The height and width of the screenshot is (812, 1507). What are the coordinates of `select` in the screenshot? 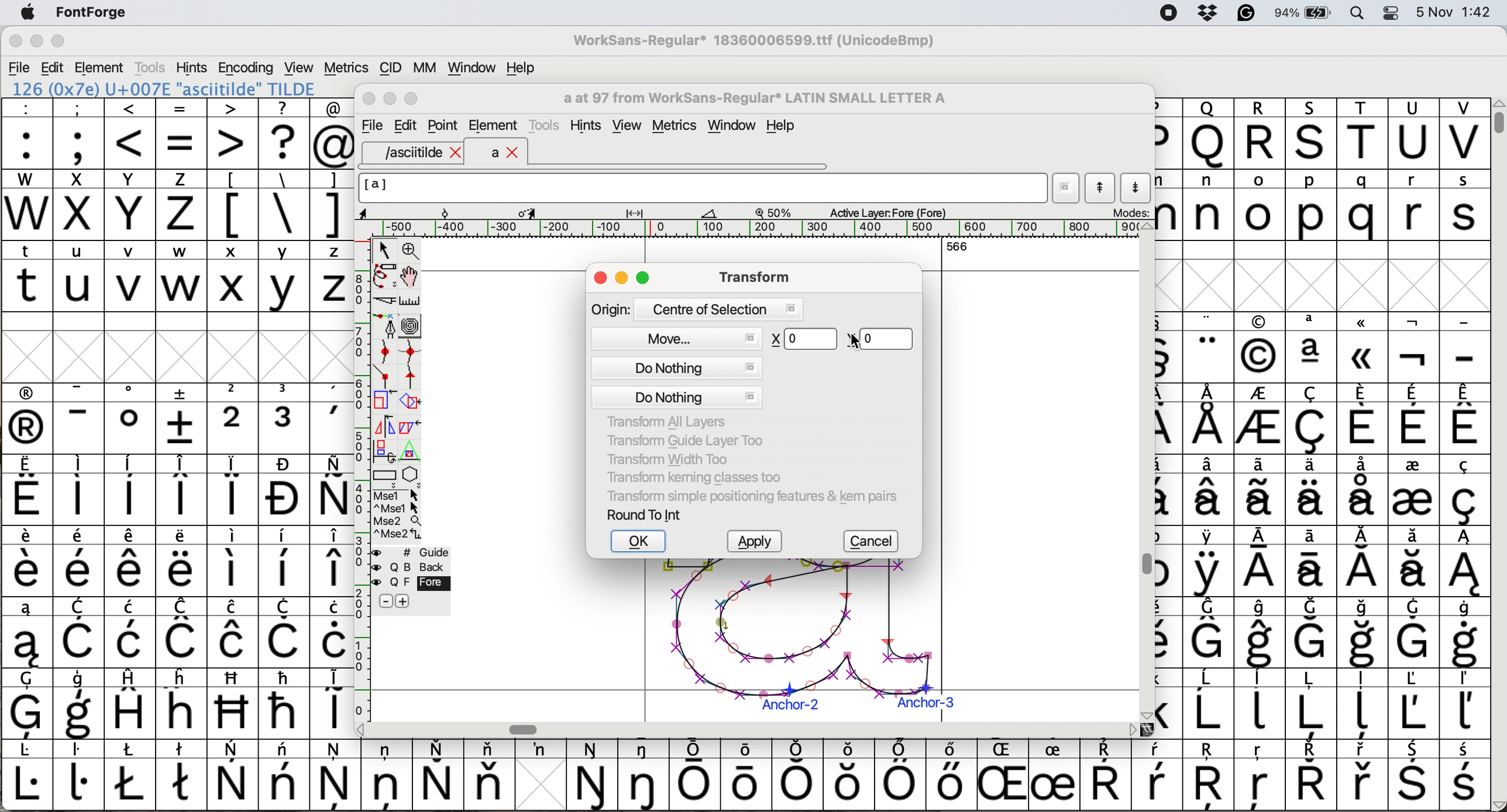 It's located at (386, 248).